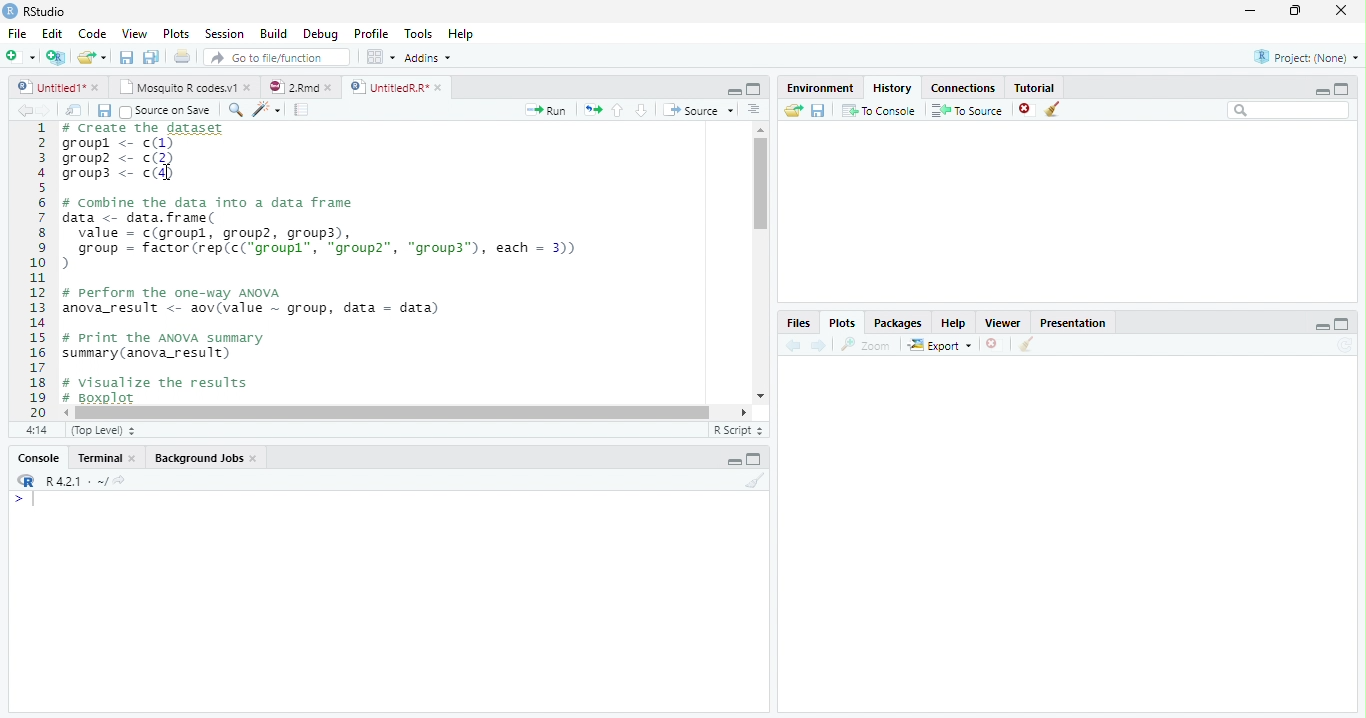 The image size is (1366, 718). Describe the element at coordinates (183, 57) in the screenshot. I see `Print  the current file` at that location.